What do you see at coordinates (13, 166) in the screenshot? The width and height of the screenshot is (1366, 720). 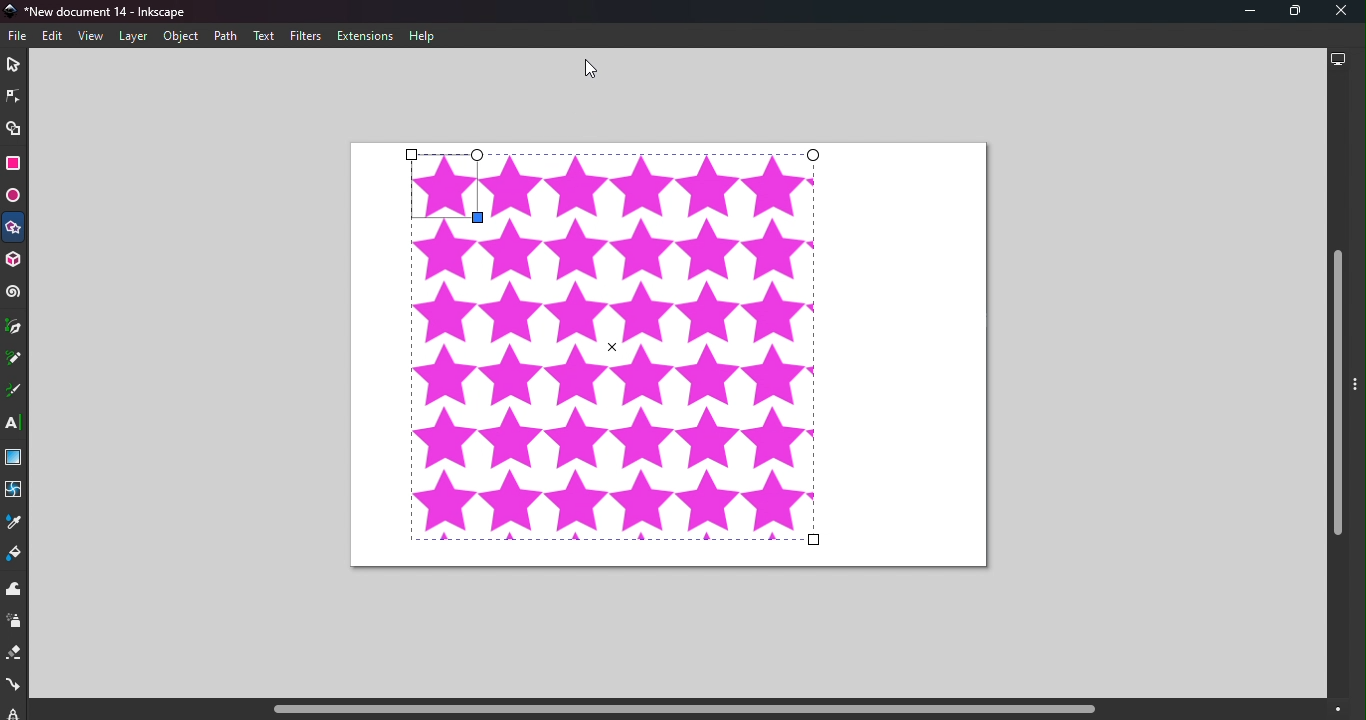 I see `Rectangle tool` at bounding box center [13, 166].